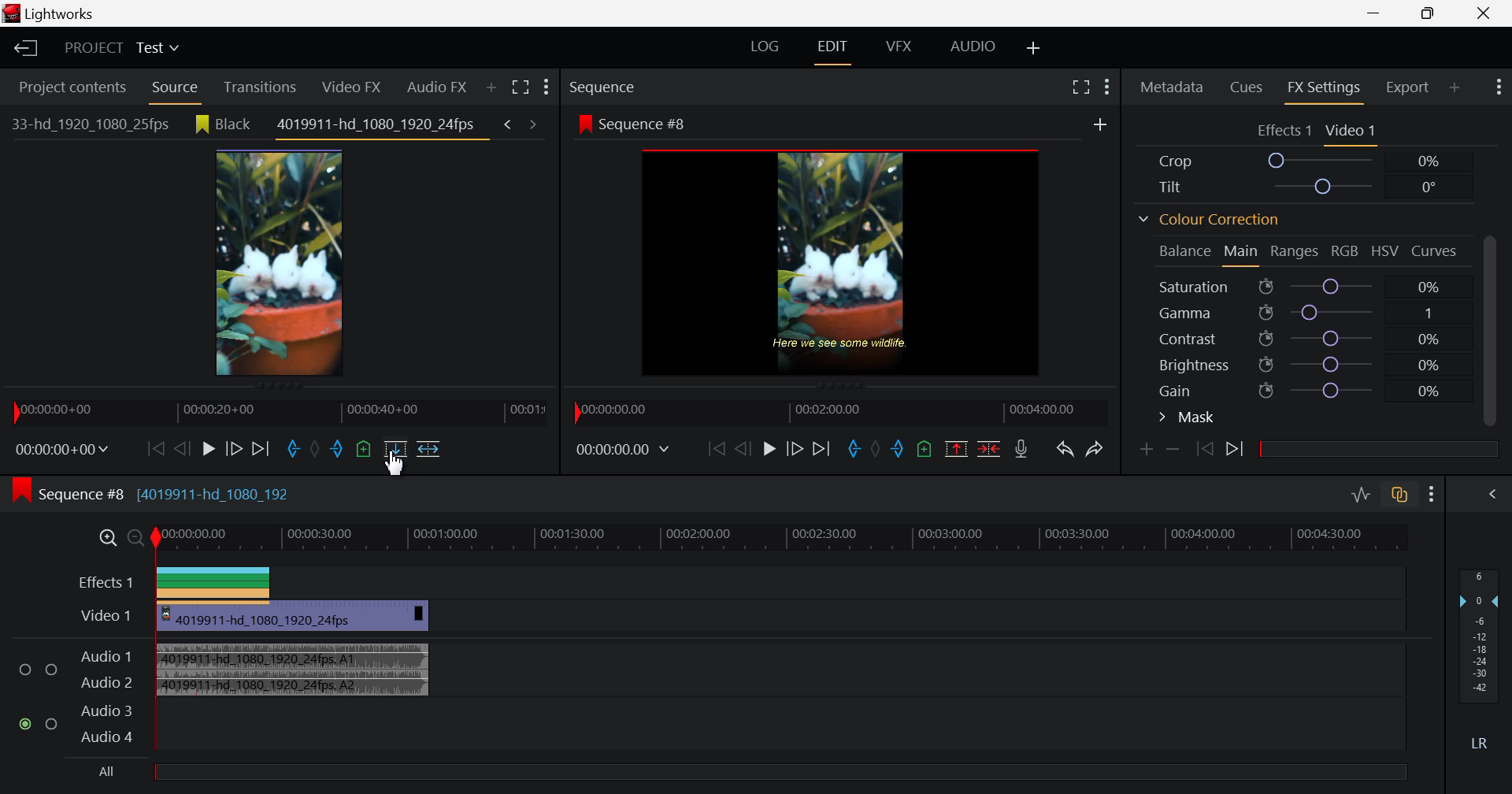  I want to click on Video & Audio Clip Inserted, so click(294, 651).